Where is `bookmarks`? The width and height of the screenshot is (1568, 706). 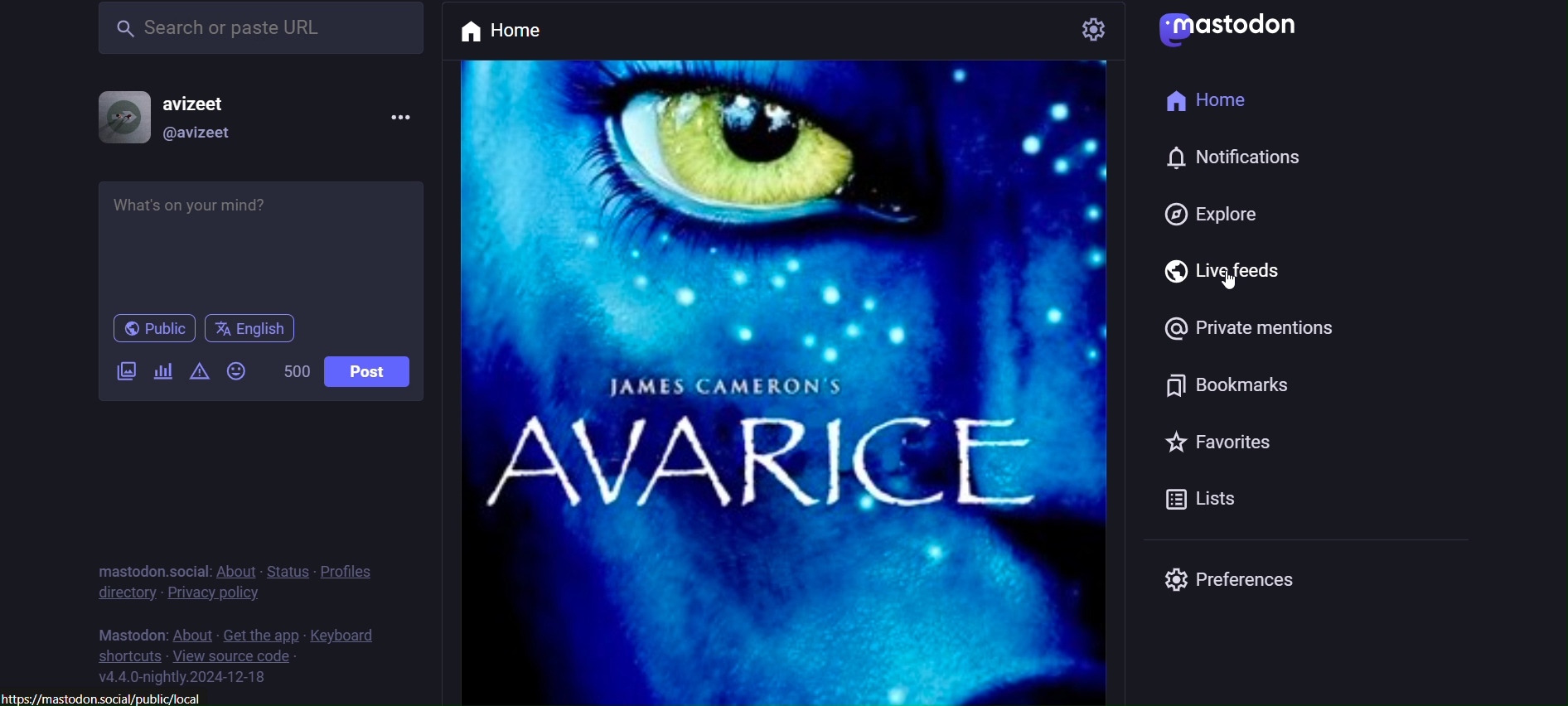 bookmarks is located at coordinates (1236, 384).